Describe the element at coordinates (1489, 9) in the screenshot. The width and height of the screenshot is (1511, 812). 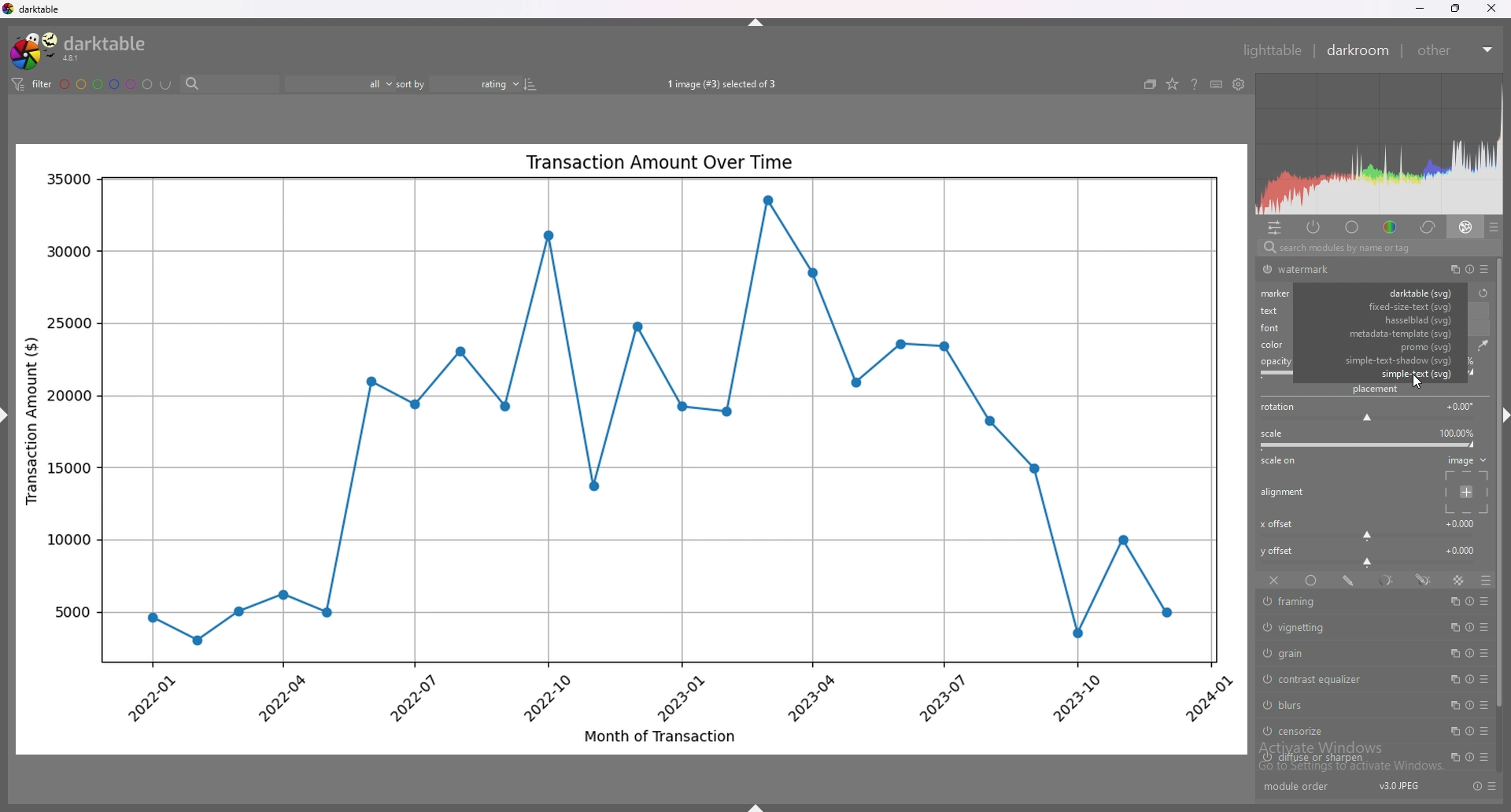
I see `close` at that location.